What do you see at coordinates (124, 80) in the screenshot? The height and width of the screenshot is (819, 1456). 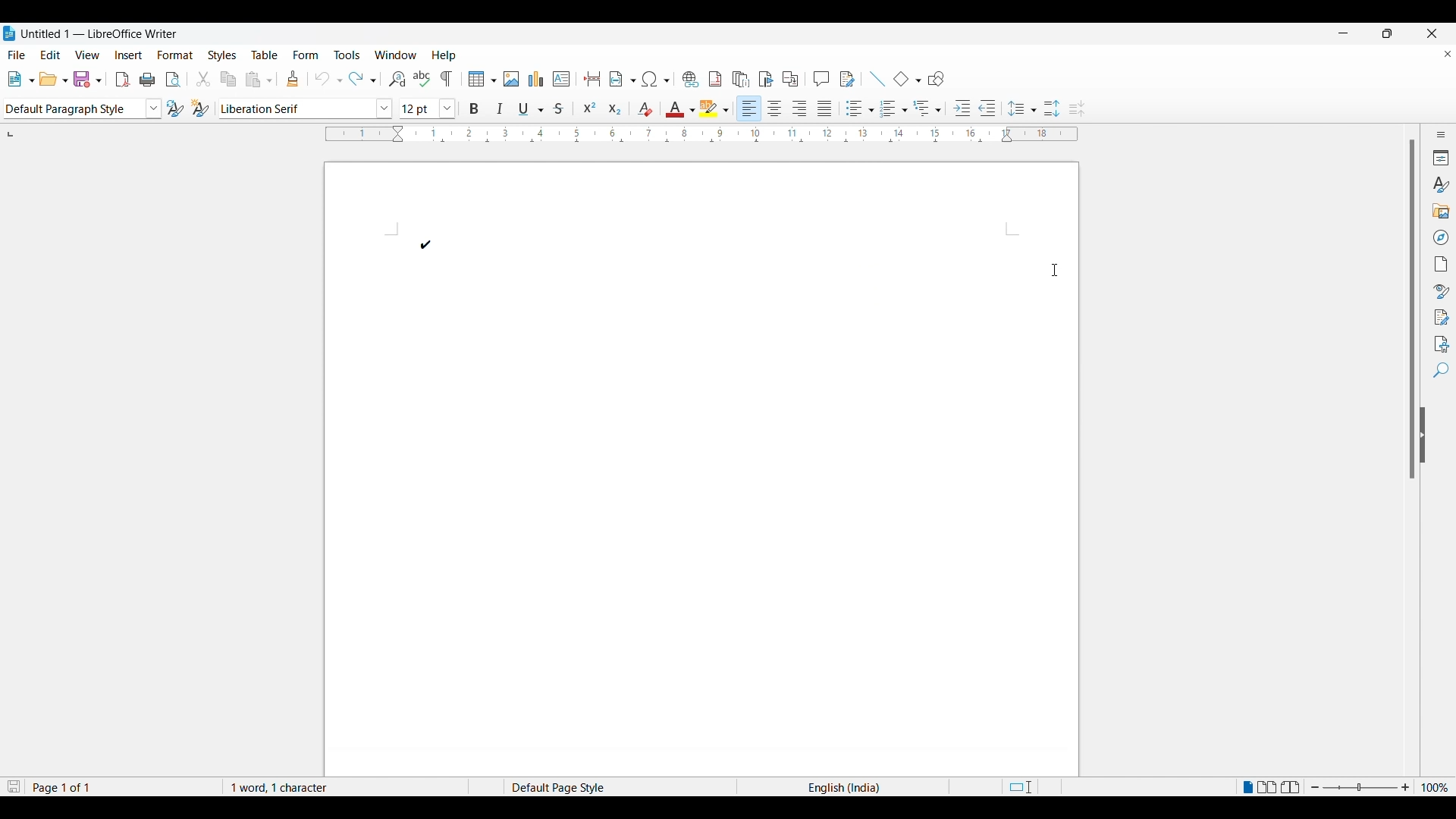 I see `export` at bounding box center [124, 80].